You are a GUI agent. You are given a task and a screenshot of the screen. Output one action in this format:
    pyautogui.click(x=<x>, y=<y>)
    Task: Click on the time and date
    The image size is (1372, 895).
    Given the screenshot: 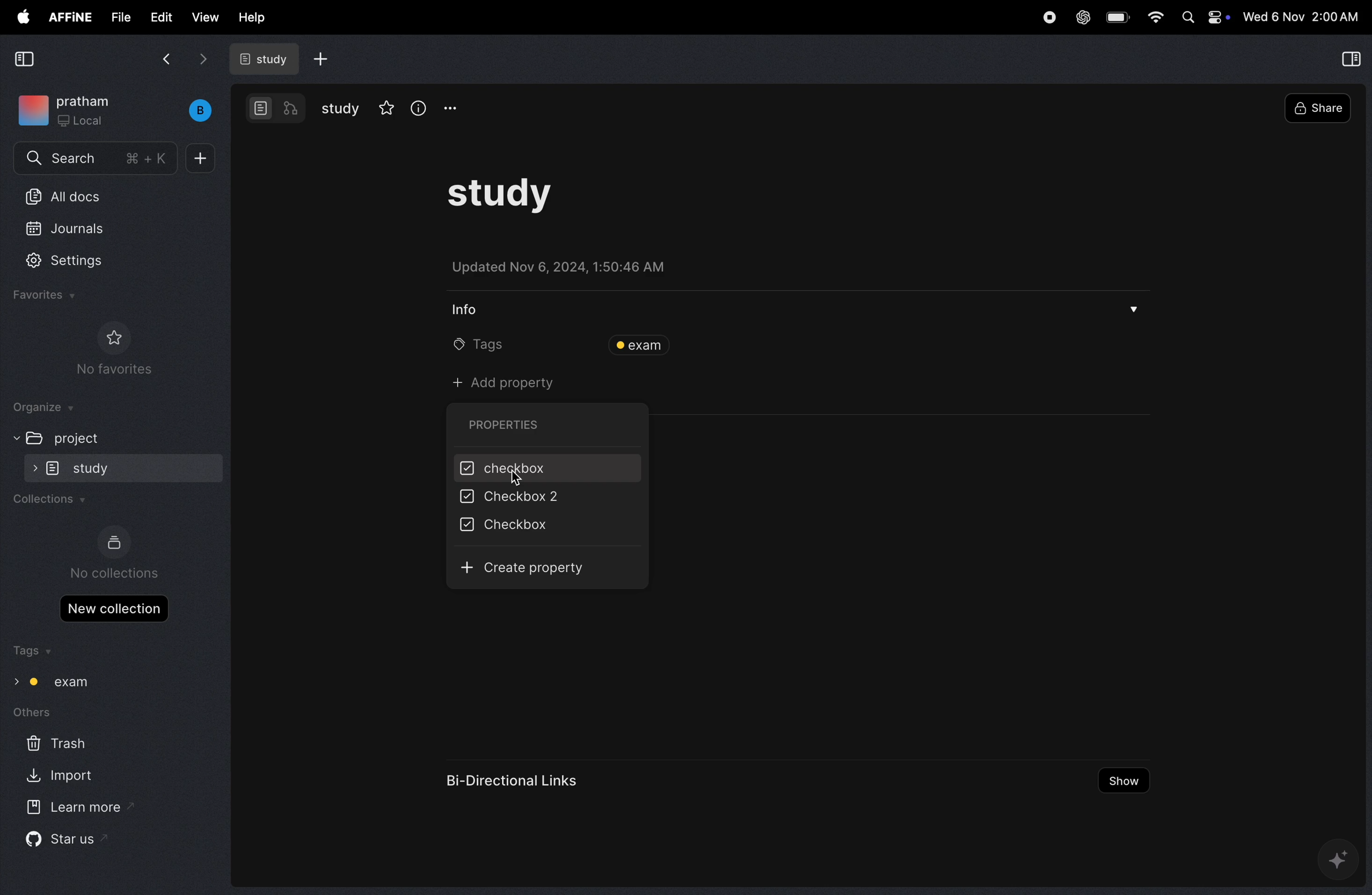 What is the action you would take?
    pyautogui.click(x=1301, y=18)
    